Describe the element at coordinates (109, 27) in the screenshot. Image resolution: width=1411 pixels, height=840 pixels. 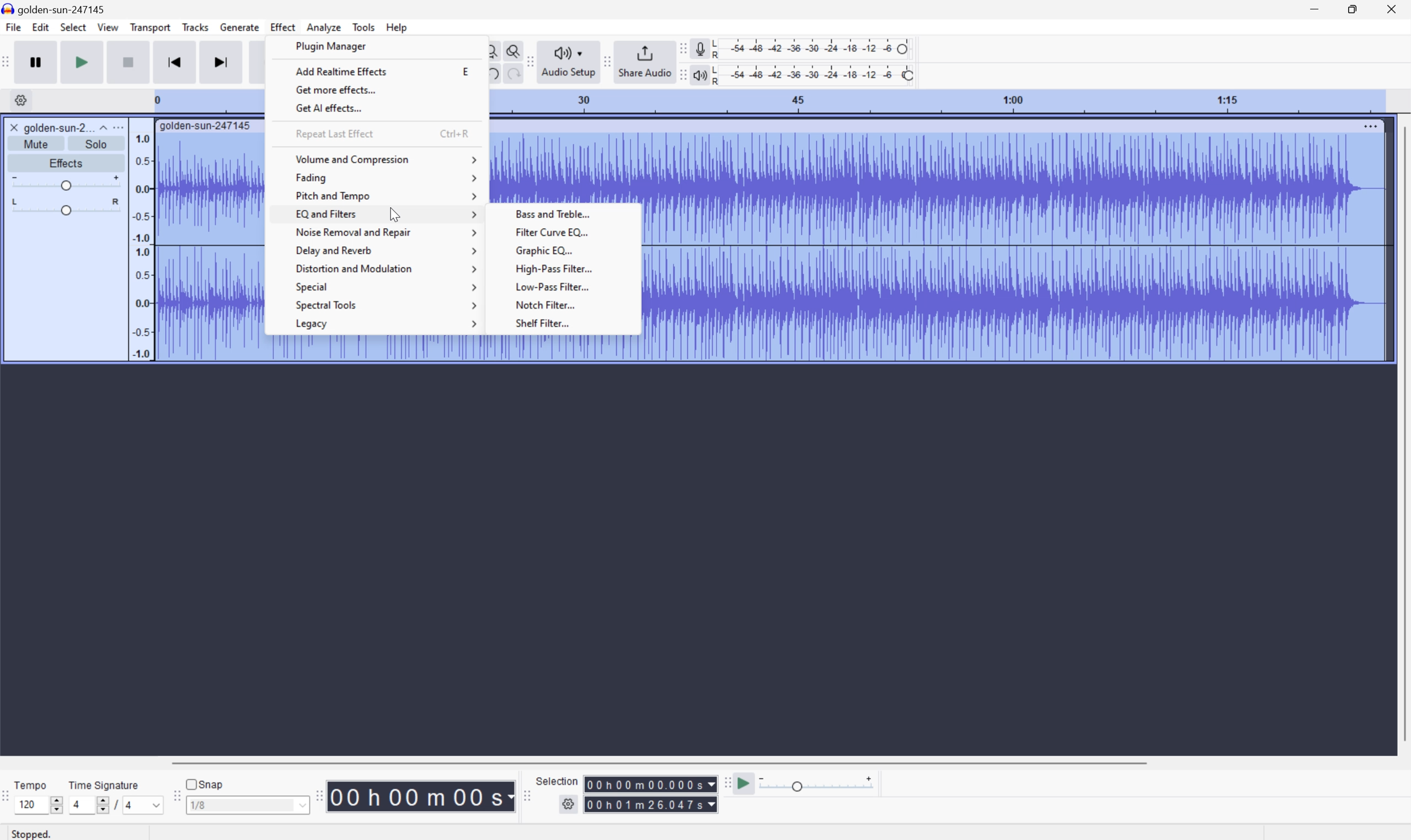
I see `View` at that location.